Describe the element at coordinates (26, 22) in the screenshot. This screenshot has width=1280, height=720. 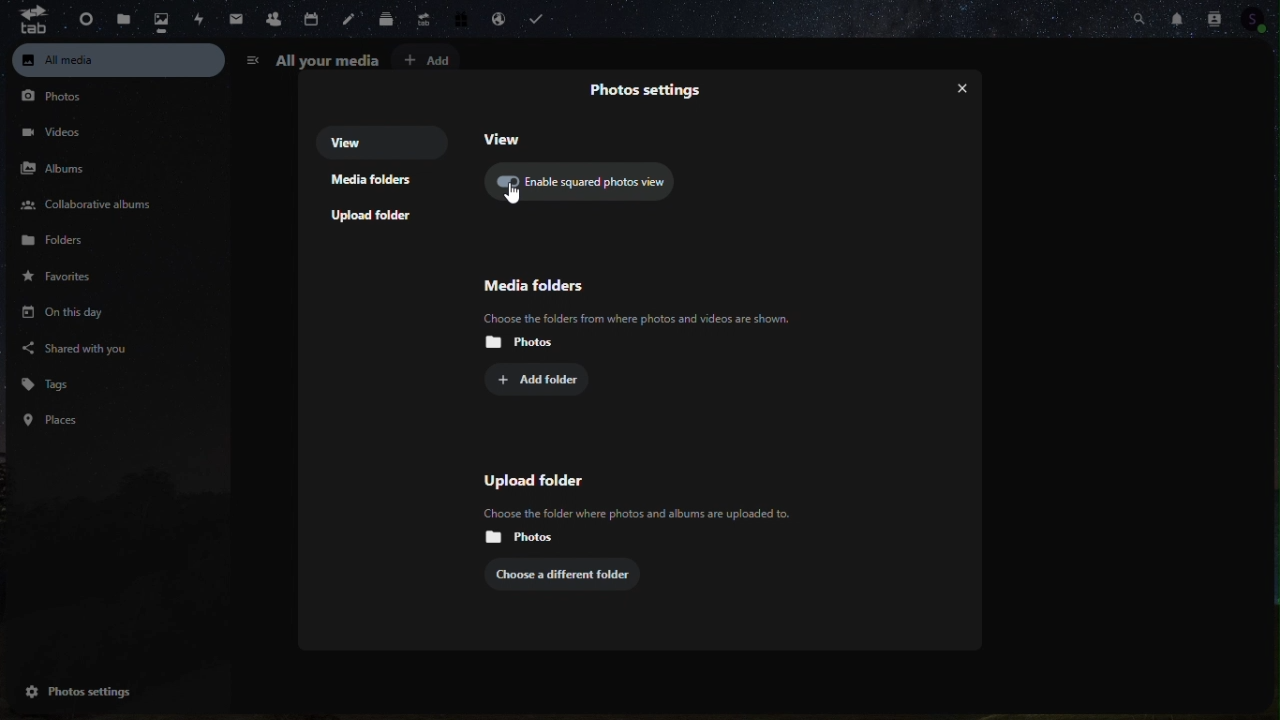
I see `tab` at that location.